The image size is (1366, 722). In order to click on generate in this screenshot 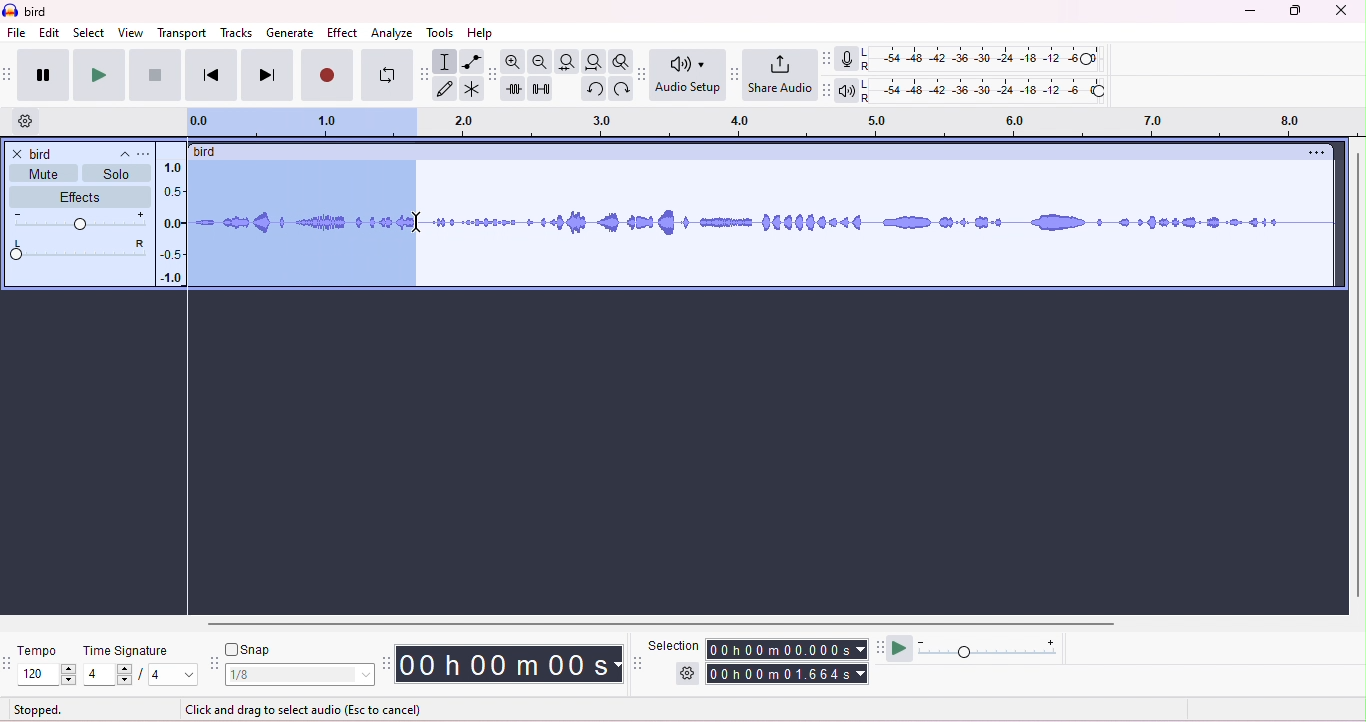, I will do `click(290, 34)`.